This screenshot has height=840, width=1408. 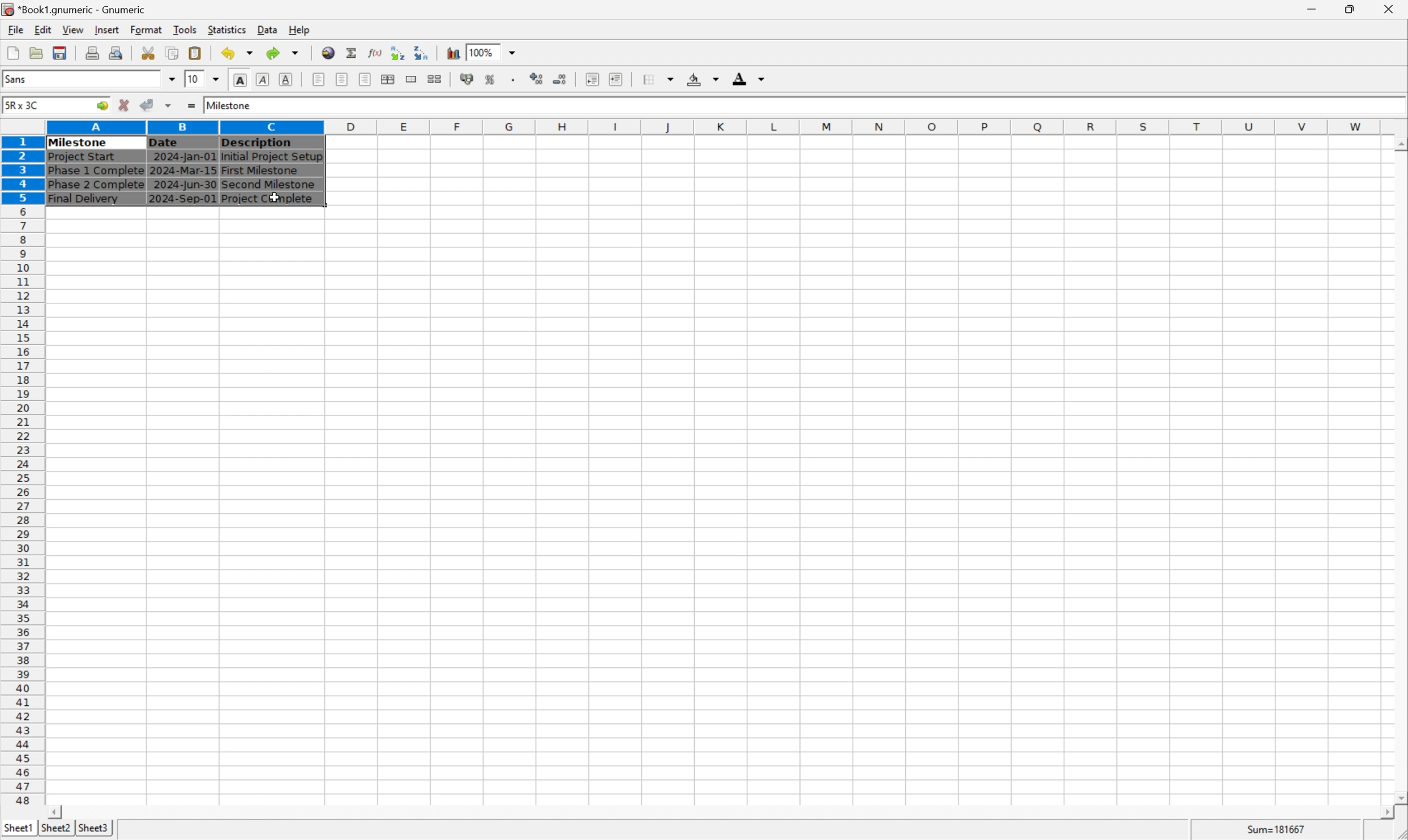 What do you see at coordinates (145, 29) in the screenshot?
I see `format` at bounding box center [145, 29].